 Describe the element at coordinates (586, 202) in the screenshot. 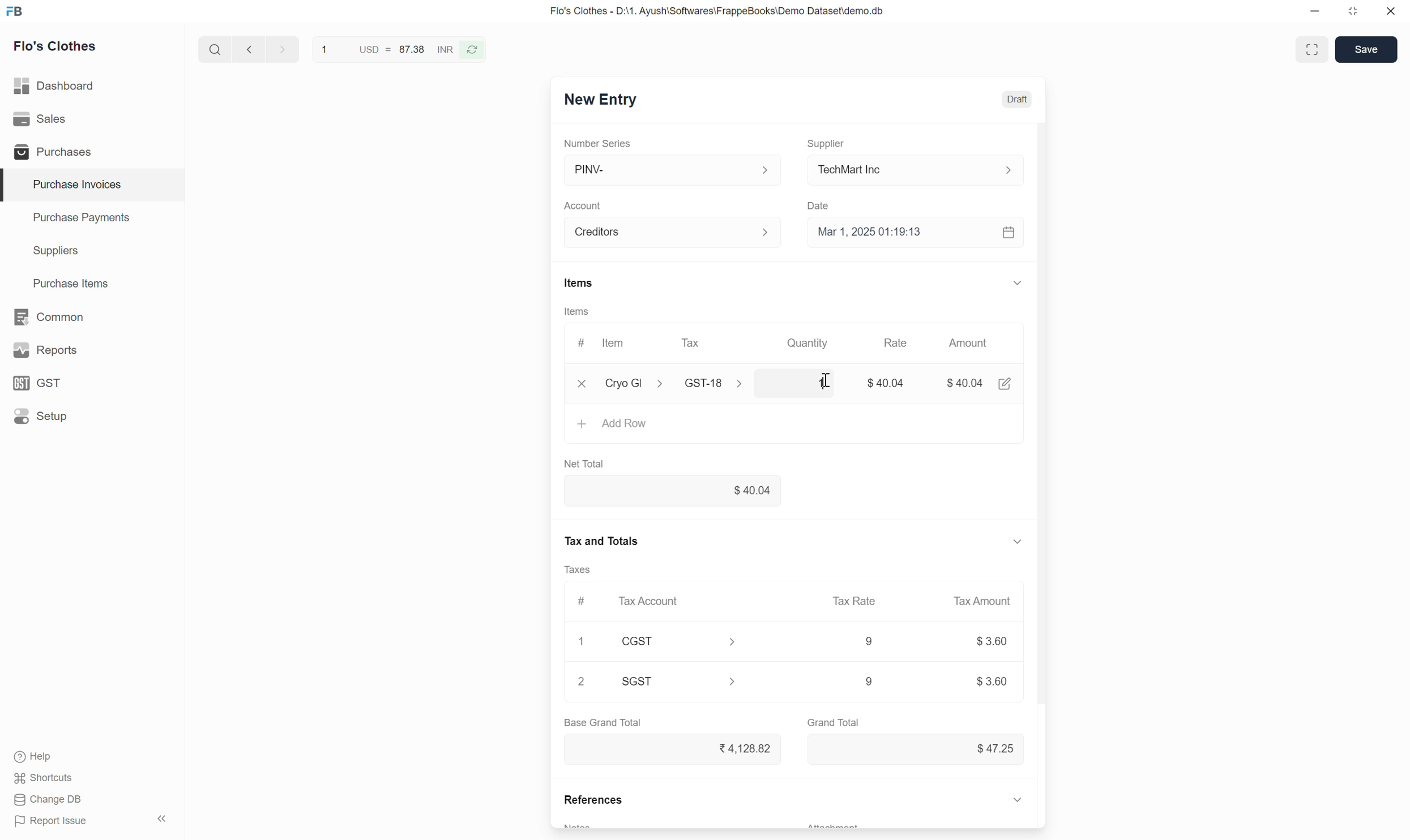

I see `Account` at that location.